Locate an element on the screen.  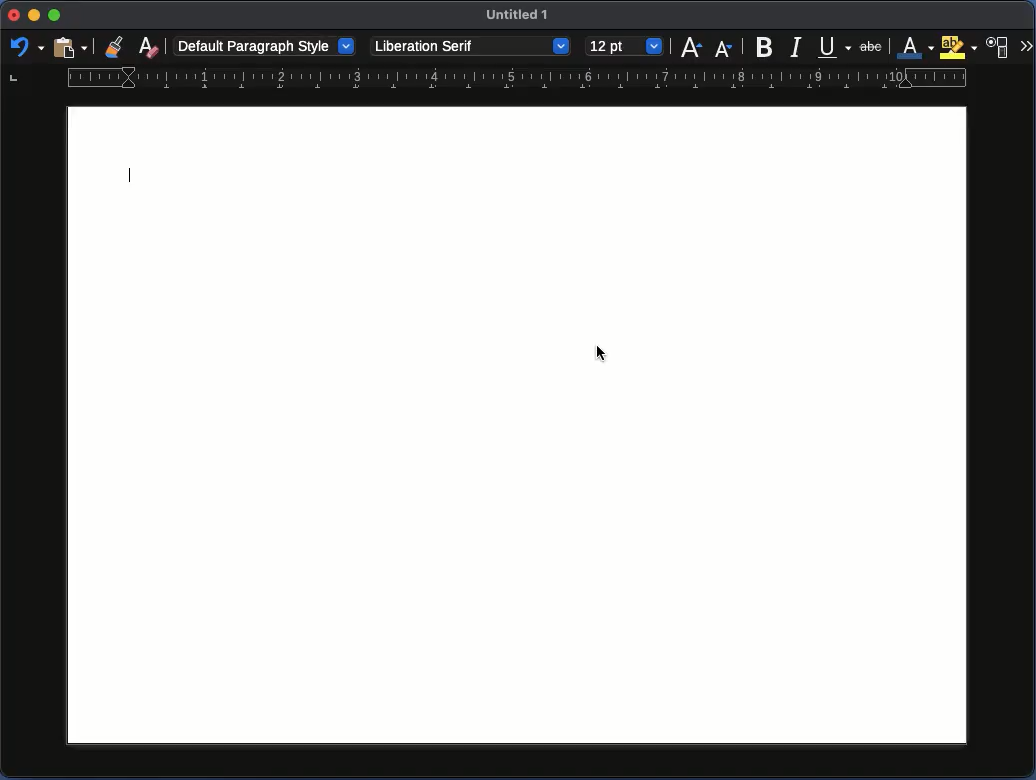
Size decrease is located at coordinates (724, 46).